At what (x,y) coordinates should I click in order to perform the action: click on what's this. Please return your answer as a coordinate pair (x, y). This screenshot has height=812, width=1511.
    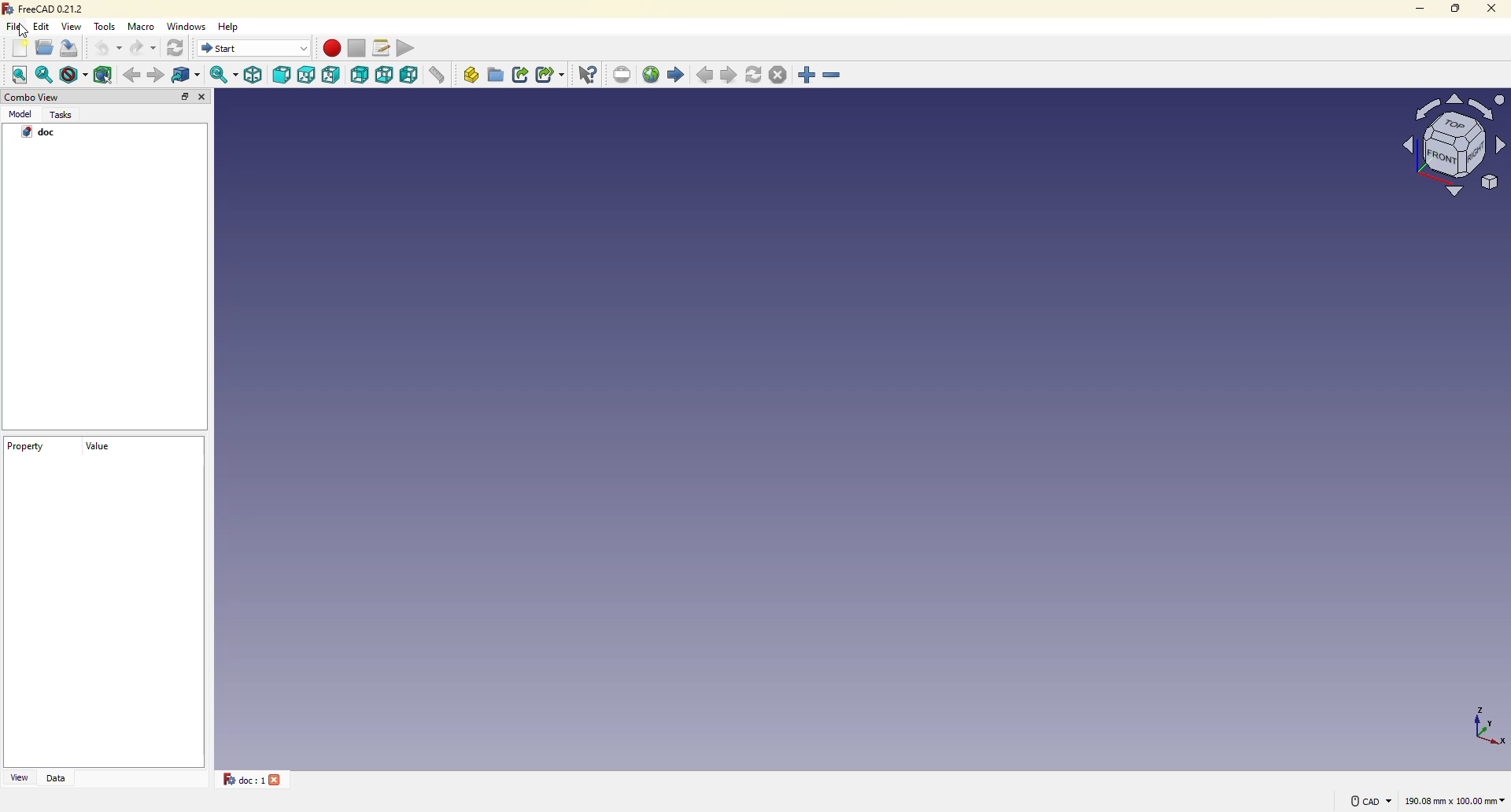
    Looking at the image, I should click on (589, 74).